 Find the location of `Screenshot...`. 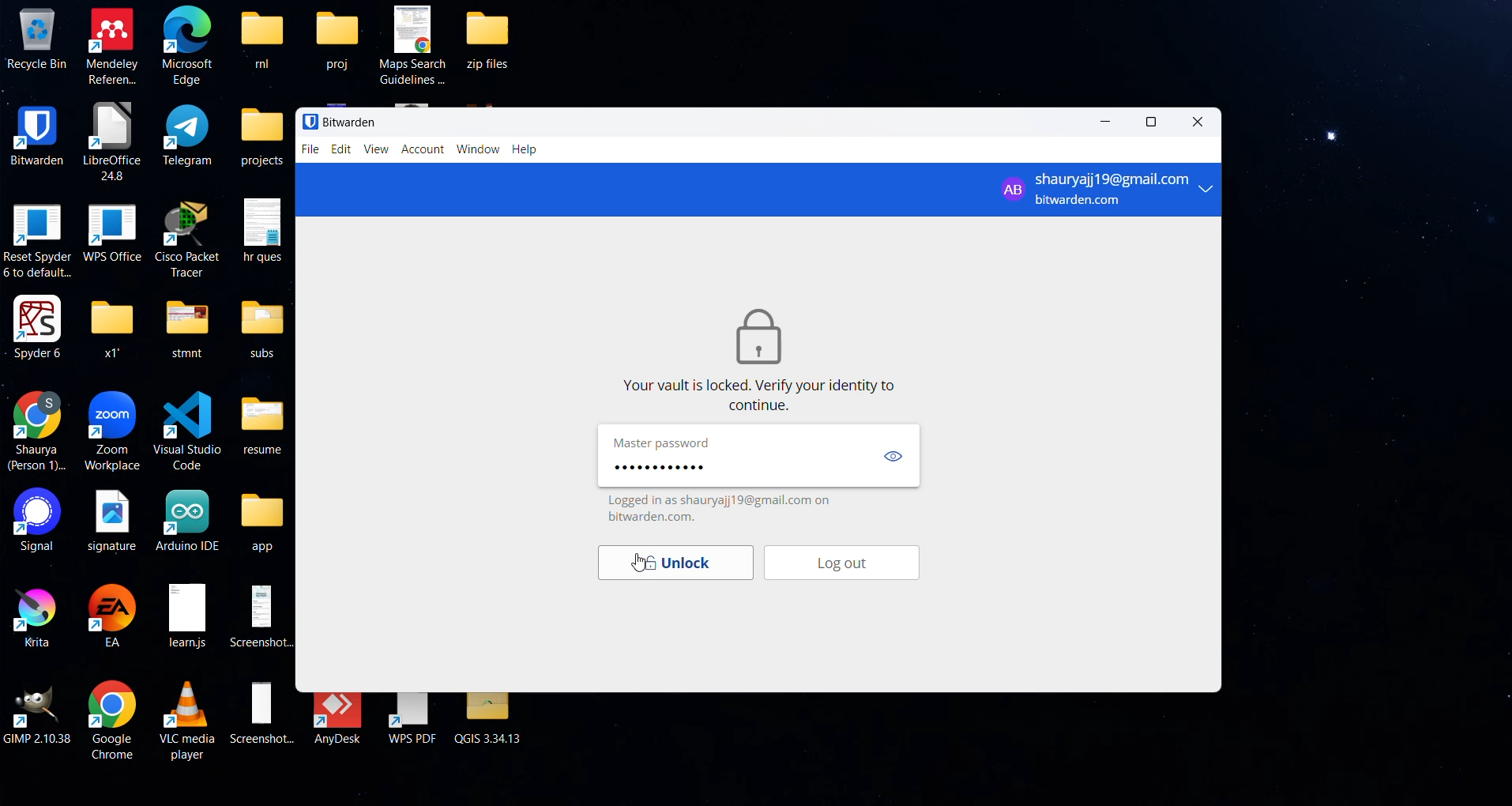

Screenshot... is located at coordinates (262, 713).